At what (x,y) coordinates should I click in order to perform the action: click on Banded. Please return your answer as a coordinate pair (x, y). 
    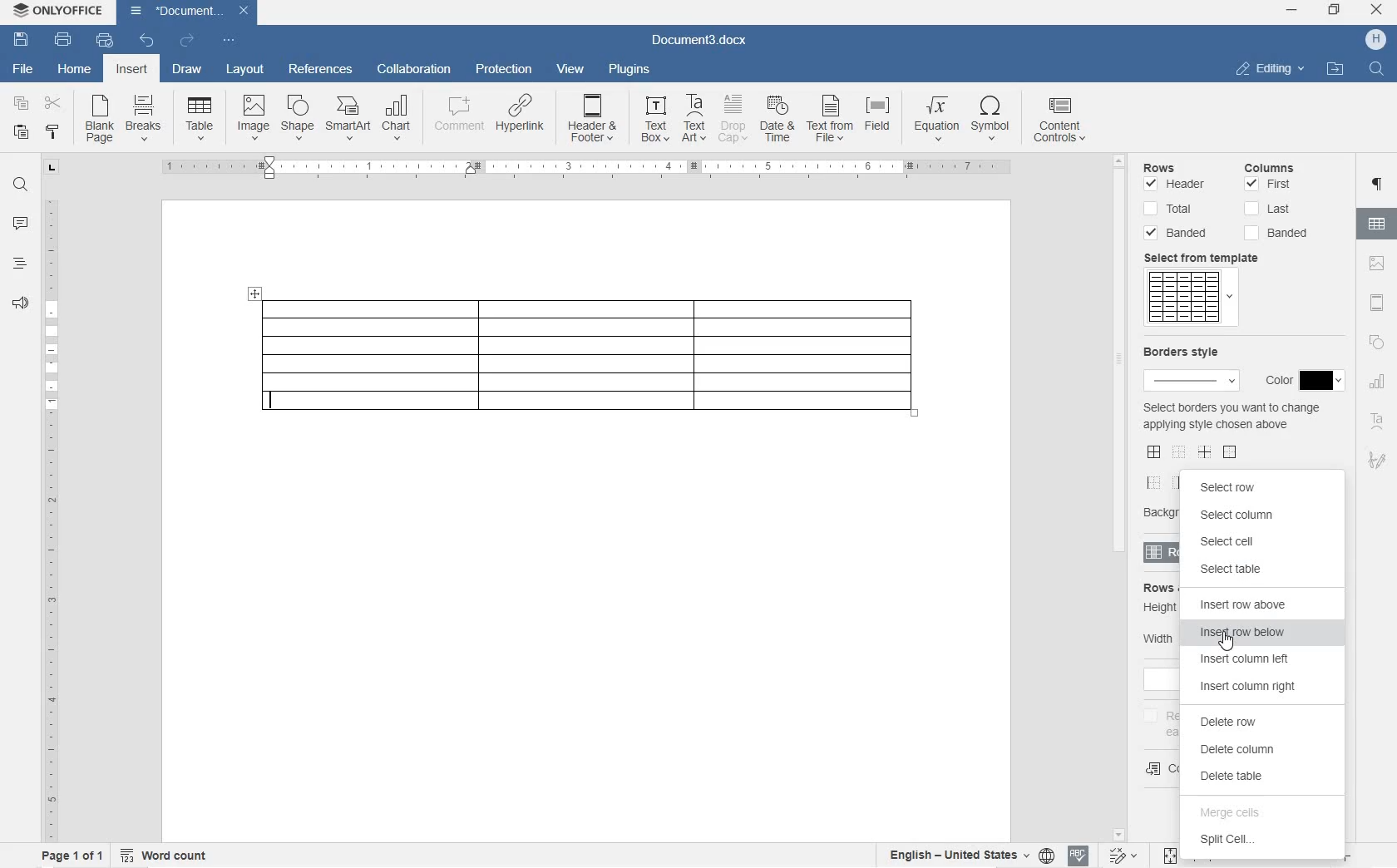
    Looking at the image, I should click on (1177, 233).